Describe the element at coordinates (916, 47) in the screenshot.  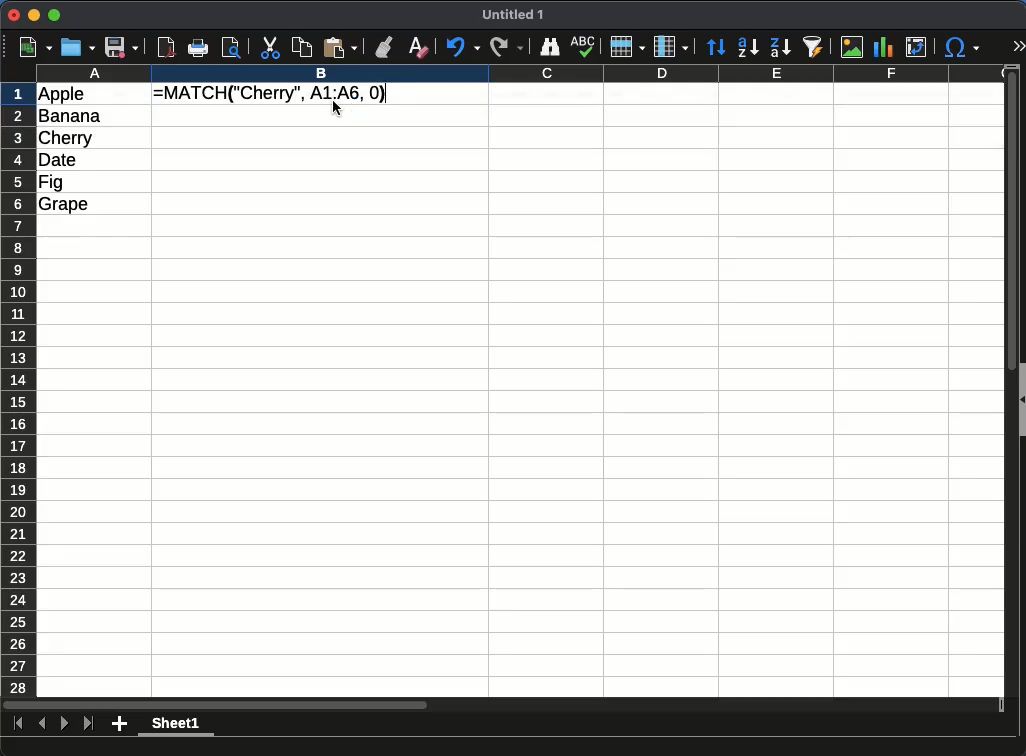
I see `pivot table` at that location.